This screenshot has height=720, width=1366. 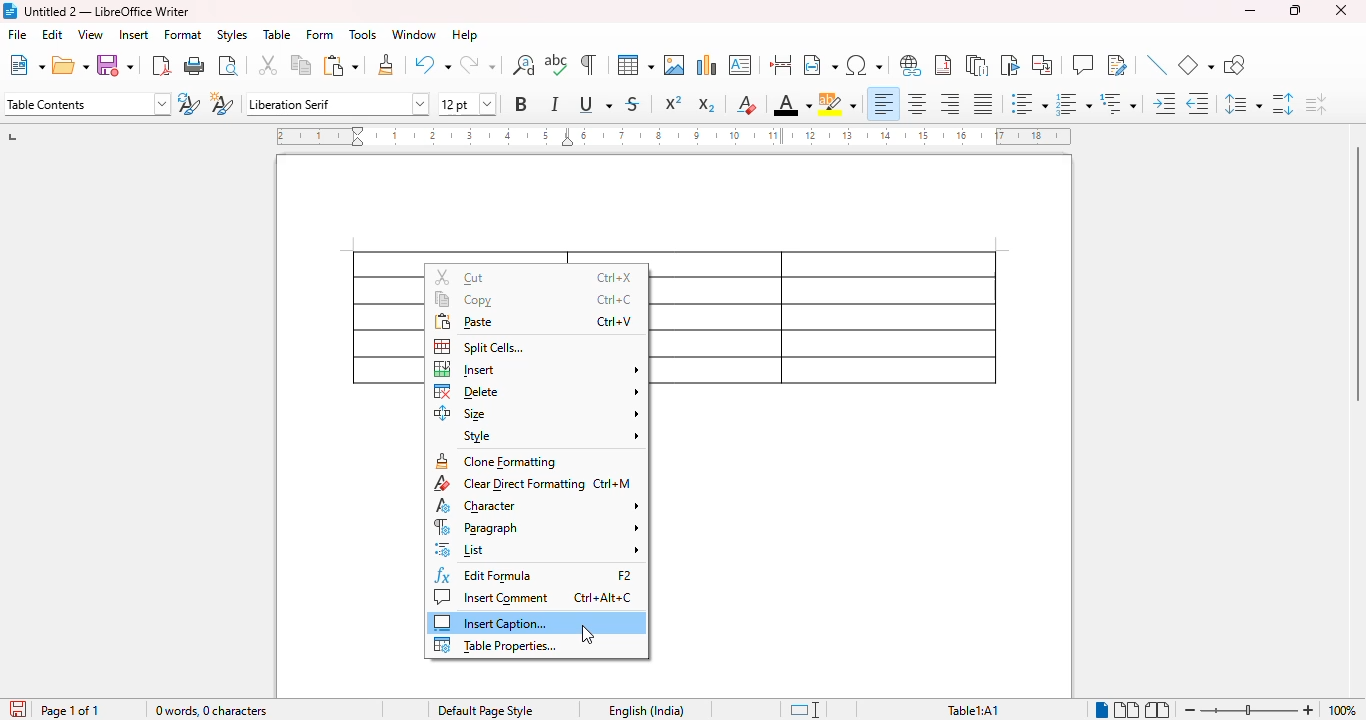 What do you see at coordinates (556, 64) in the screenshot?
I see `spelling` at bounding box center [556, 64].